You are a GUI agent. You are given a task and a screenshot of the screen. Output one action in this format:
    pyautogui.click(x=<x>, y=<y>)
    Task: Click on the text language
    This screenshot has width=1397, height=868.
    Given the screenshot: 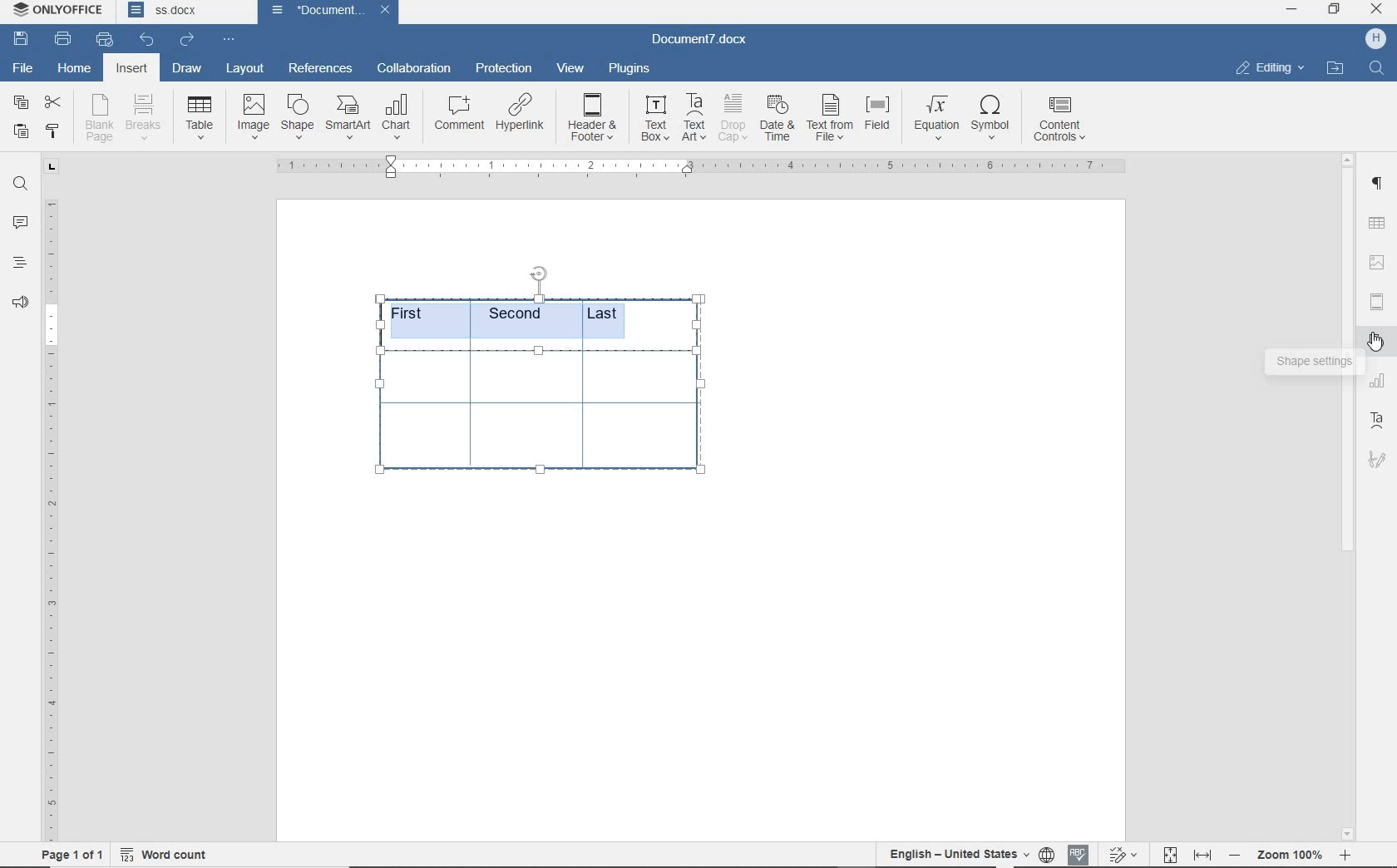 What is the action you would take?
    pyautogui.click(x=959, y=852)
    